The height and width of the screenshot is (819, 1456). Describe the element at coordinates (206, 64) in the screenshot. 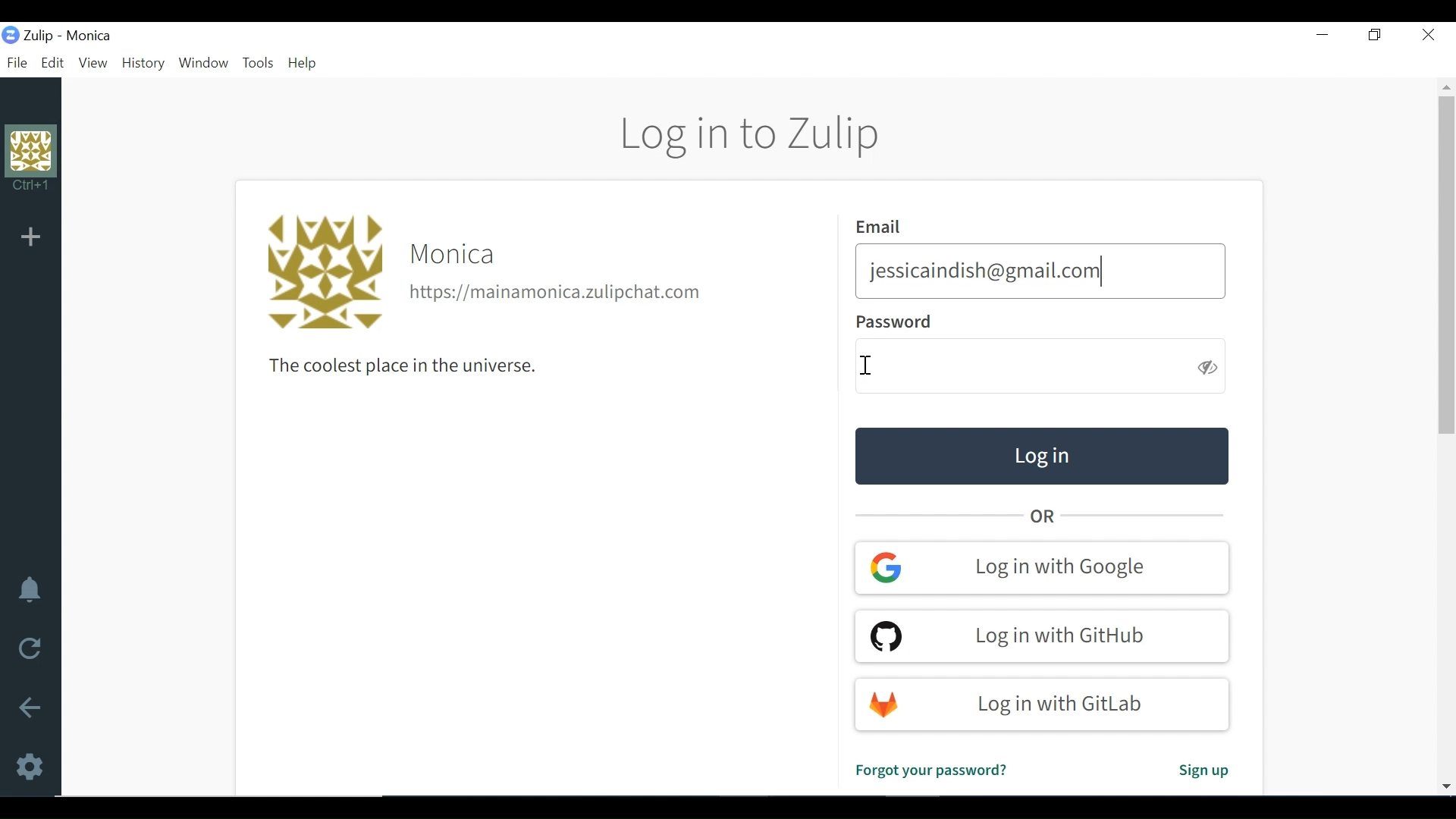

I see `Window` at that location.